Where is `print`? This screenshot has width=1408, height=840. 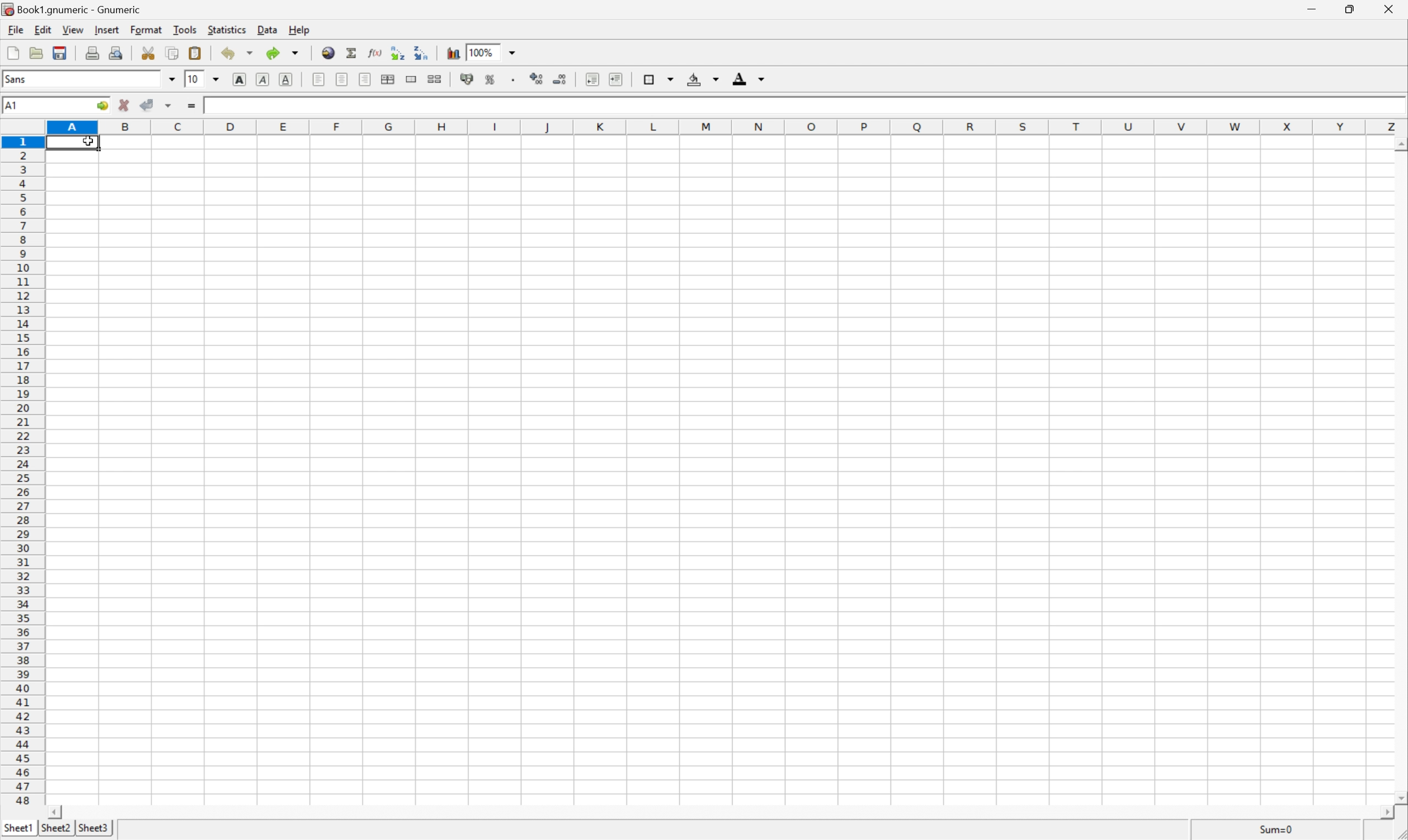
print is located at coordinates (92, 52).